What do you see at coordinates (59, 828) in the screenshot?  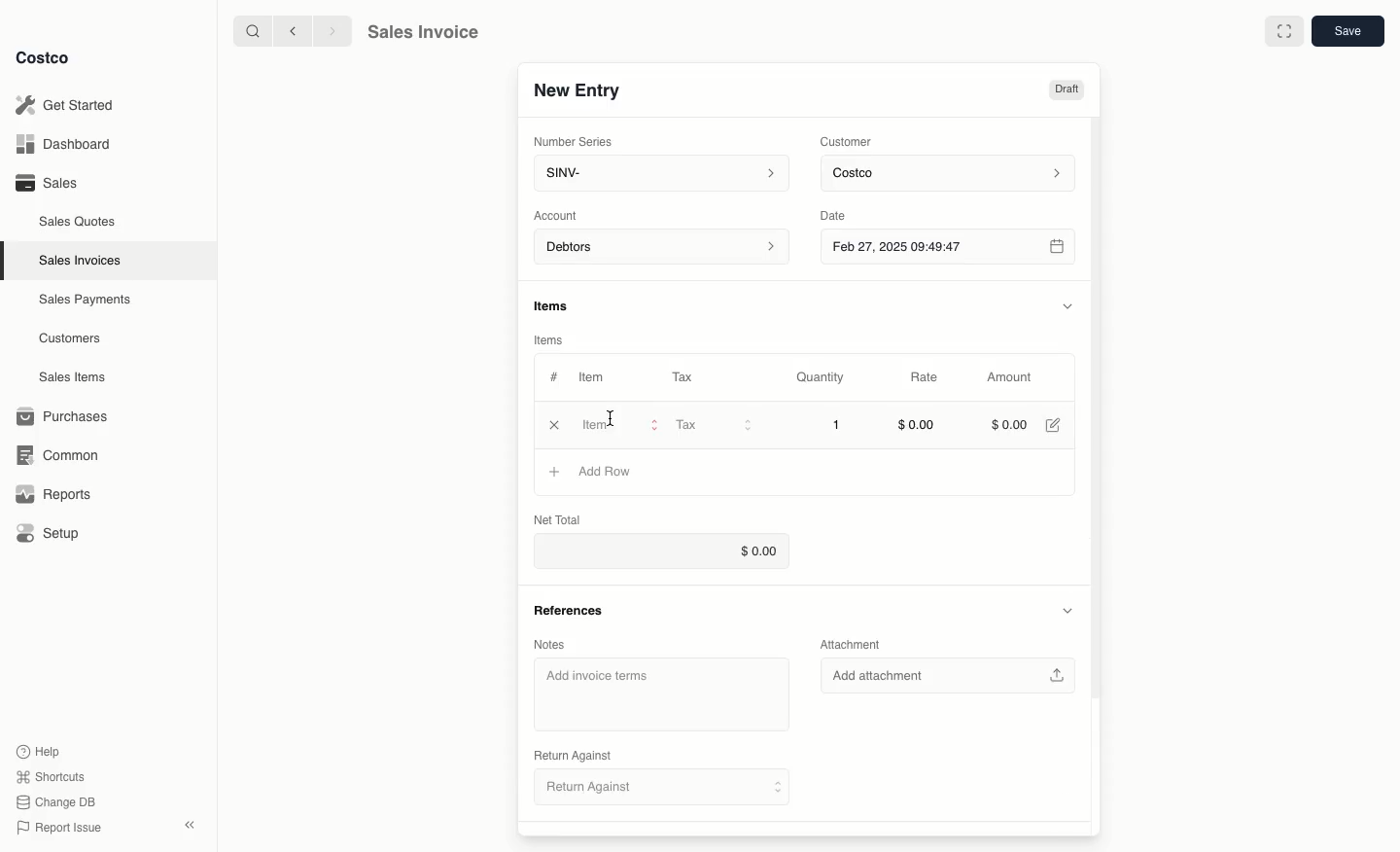 I see `Report Issue` at bounding box center [59, 828].